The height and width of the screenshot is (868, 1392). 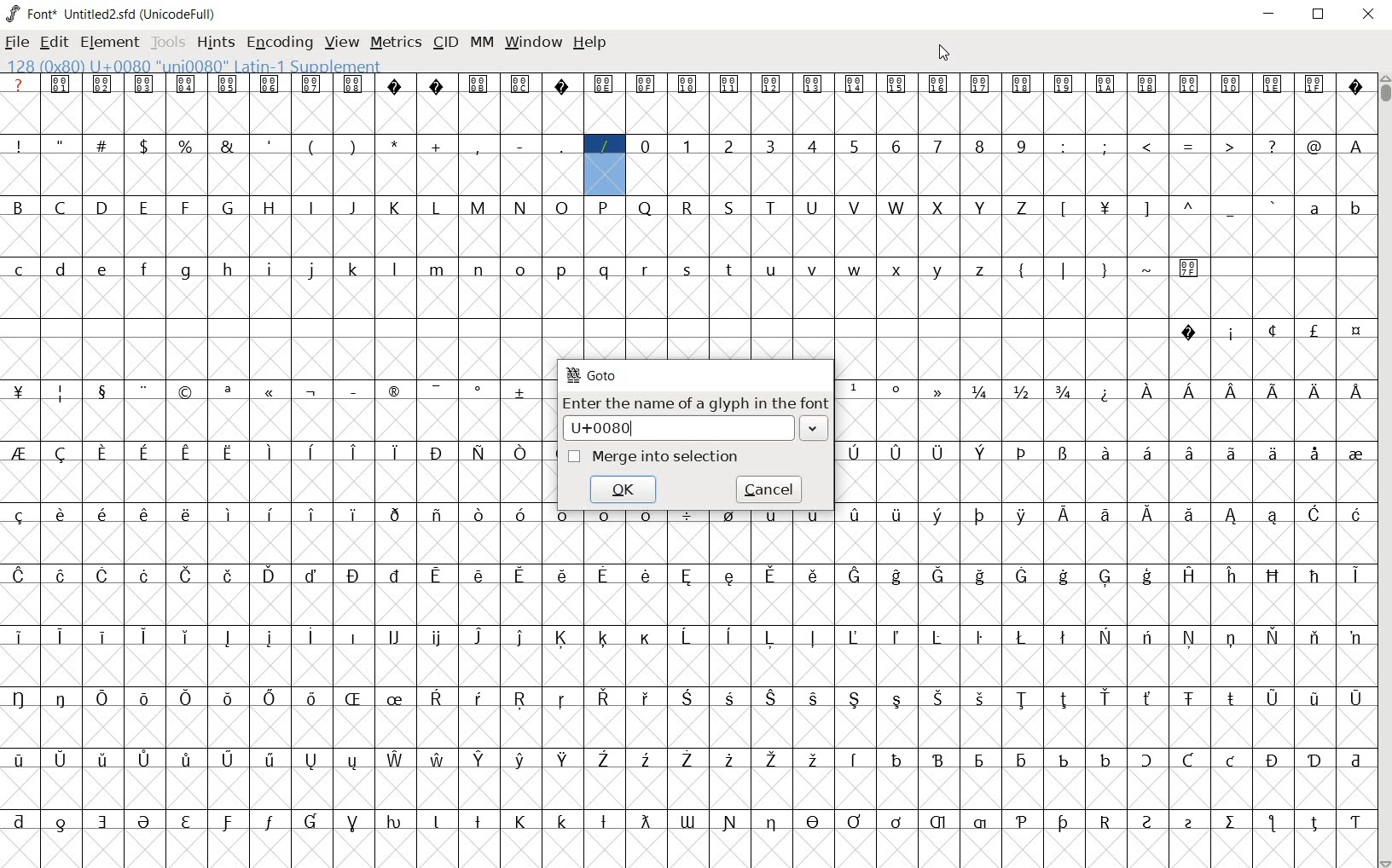 I want to click on glyph, so click(x=394, y=85).